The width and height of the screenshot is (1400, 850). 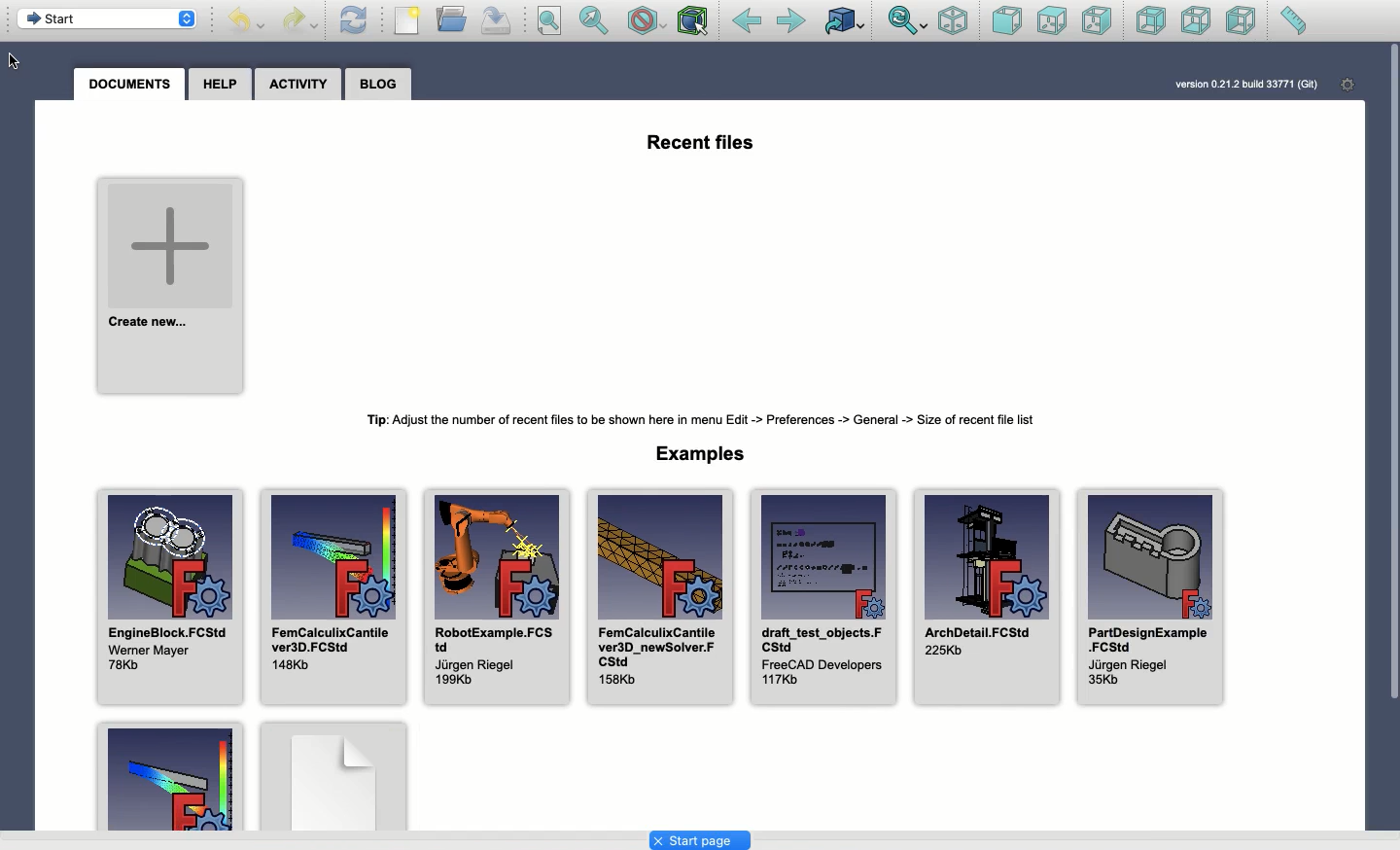 I want to click on Linked to object, so click(x=844, y=20).